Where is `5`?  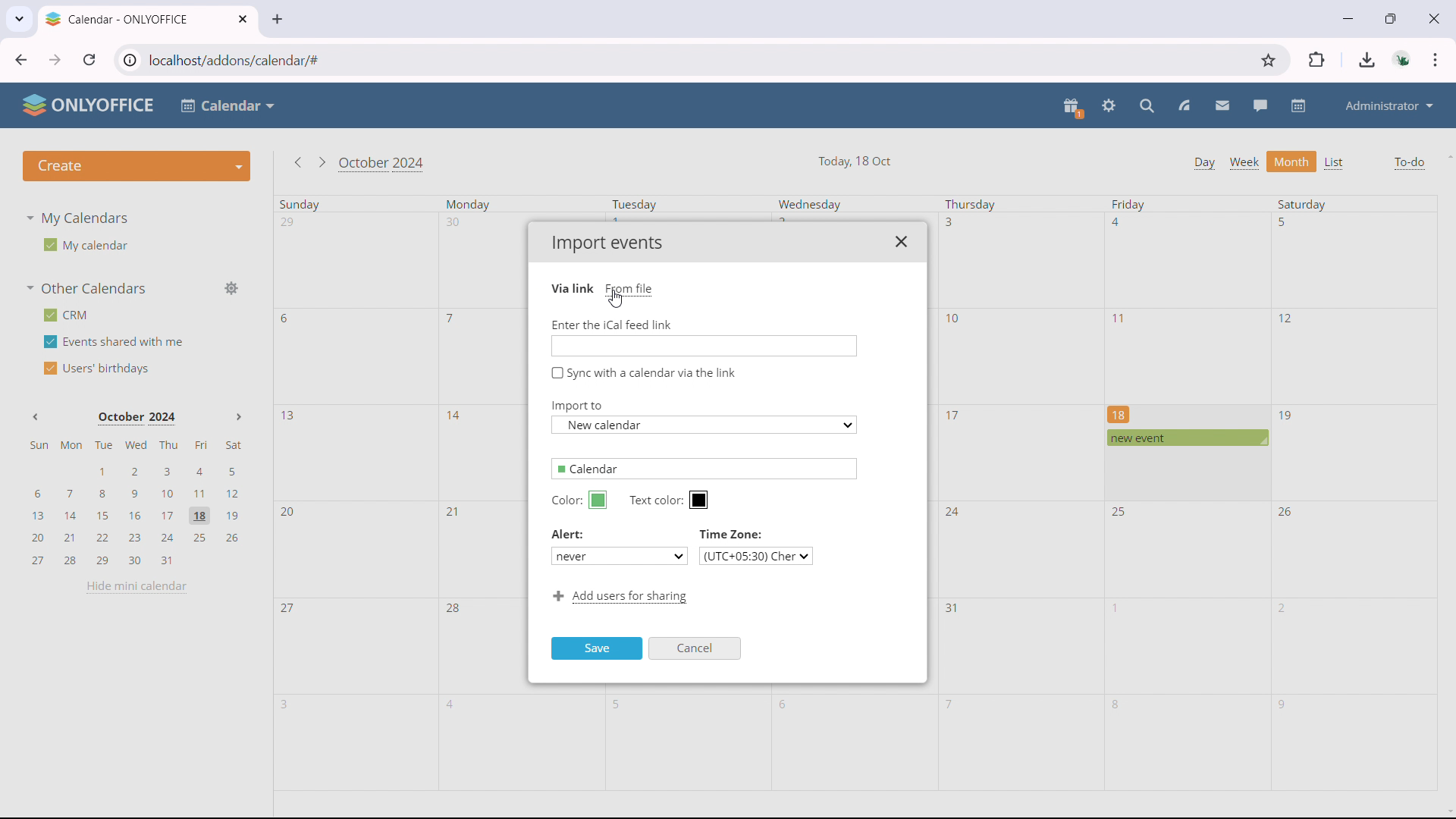 5 is located at coordinates (619, 704).